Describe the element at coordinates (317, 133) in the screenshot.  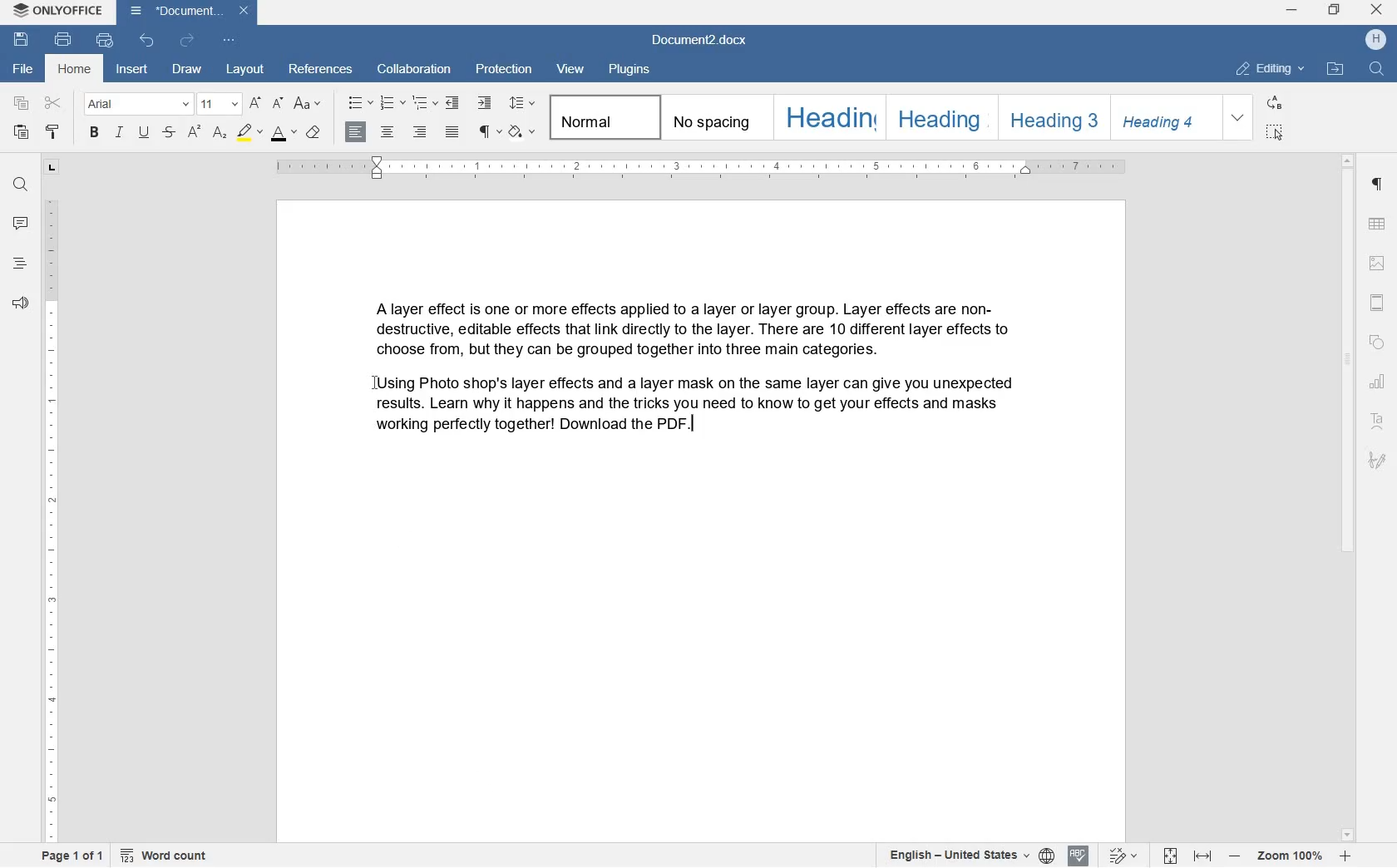
I see `CLEAR STYLE` at that location.